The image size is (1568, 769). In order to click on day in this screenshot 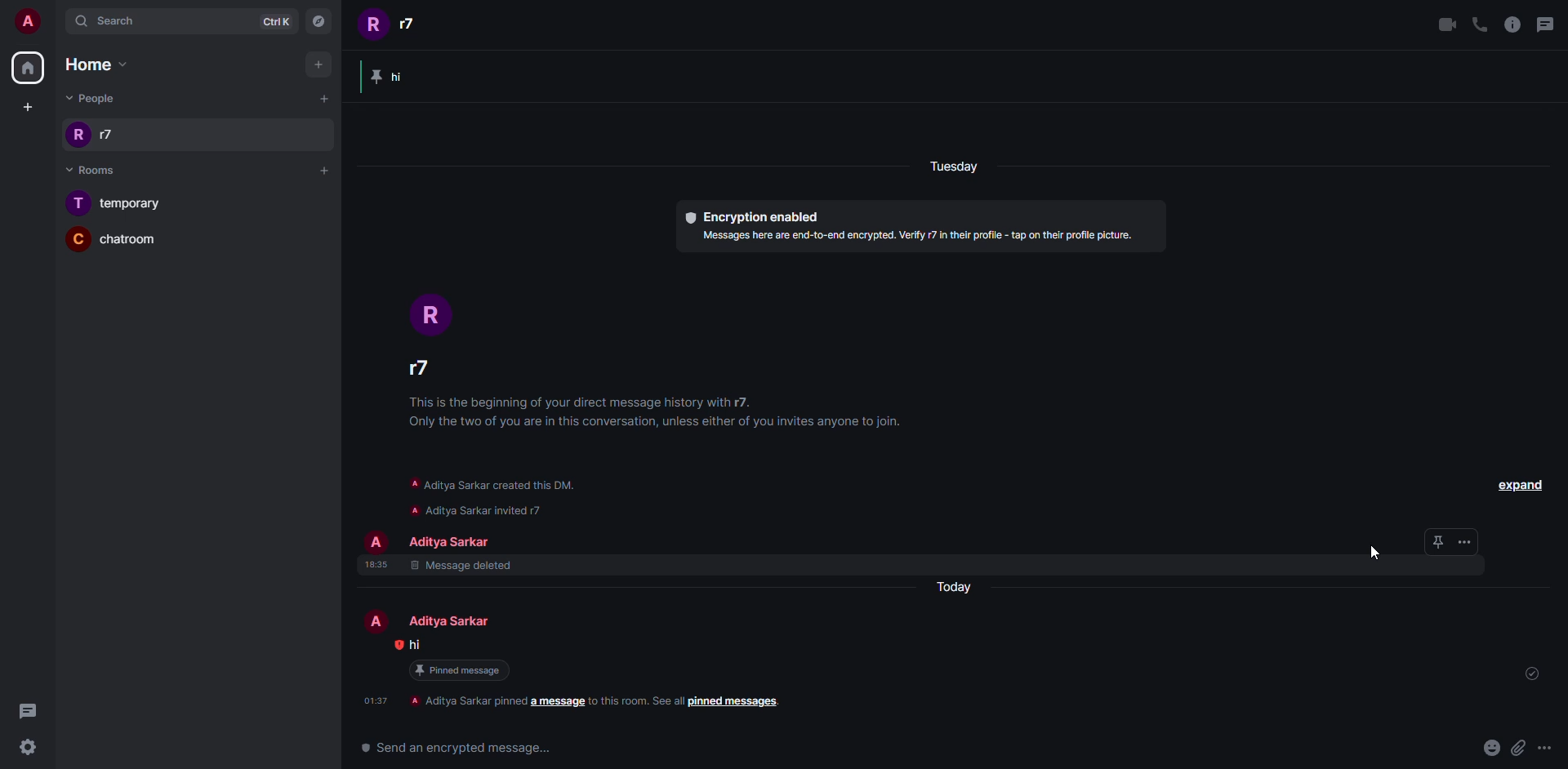, I will do `click(962, 586)`.